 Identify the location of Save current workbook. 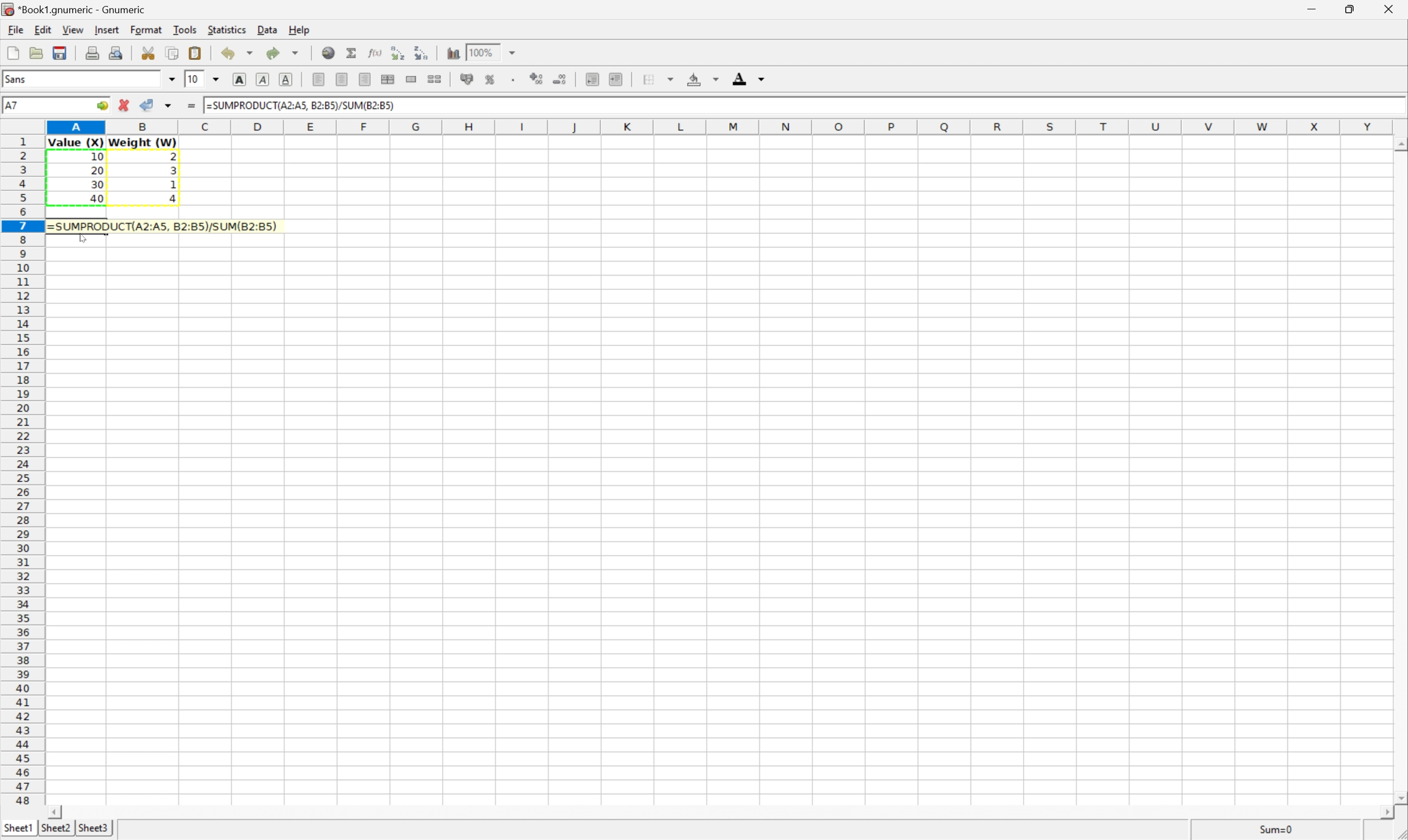
(61, 54).